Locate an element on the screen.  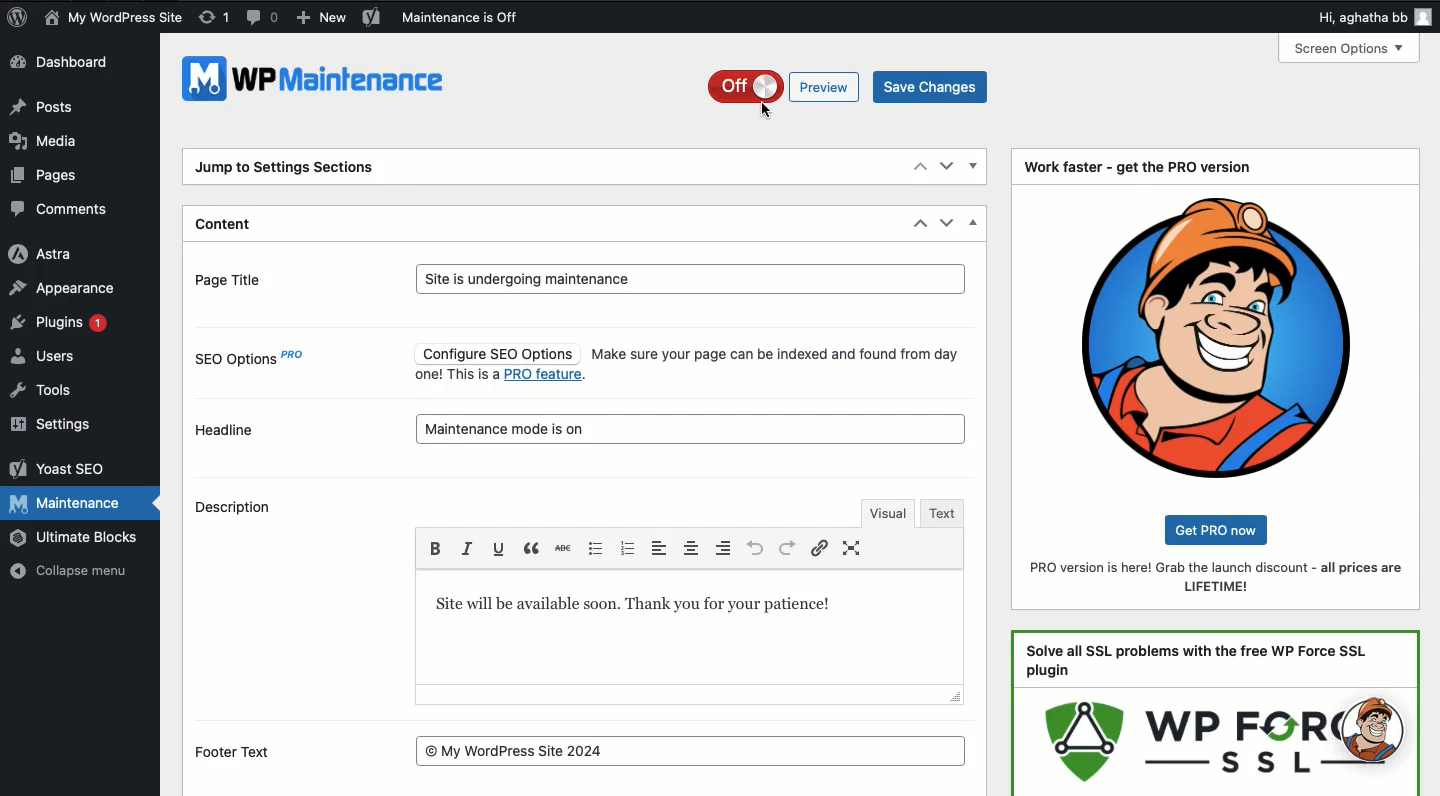
Yoast  is located at coordinates (373, 17).